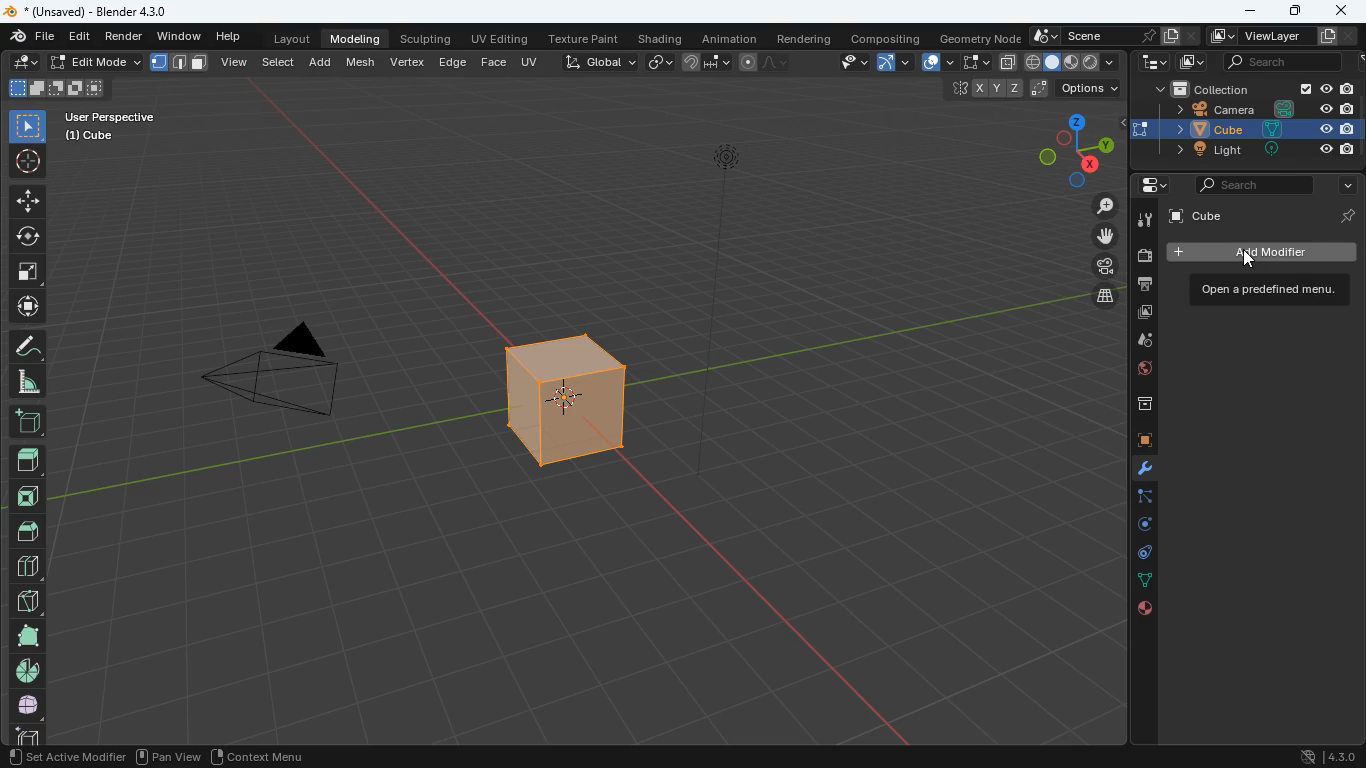 The height and width of the screenshot is (768, 1366). What do you see at coordinates (26, 272) in the screenshot?
I see `fullscreen` at bounding box center [26, 272].